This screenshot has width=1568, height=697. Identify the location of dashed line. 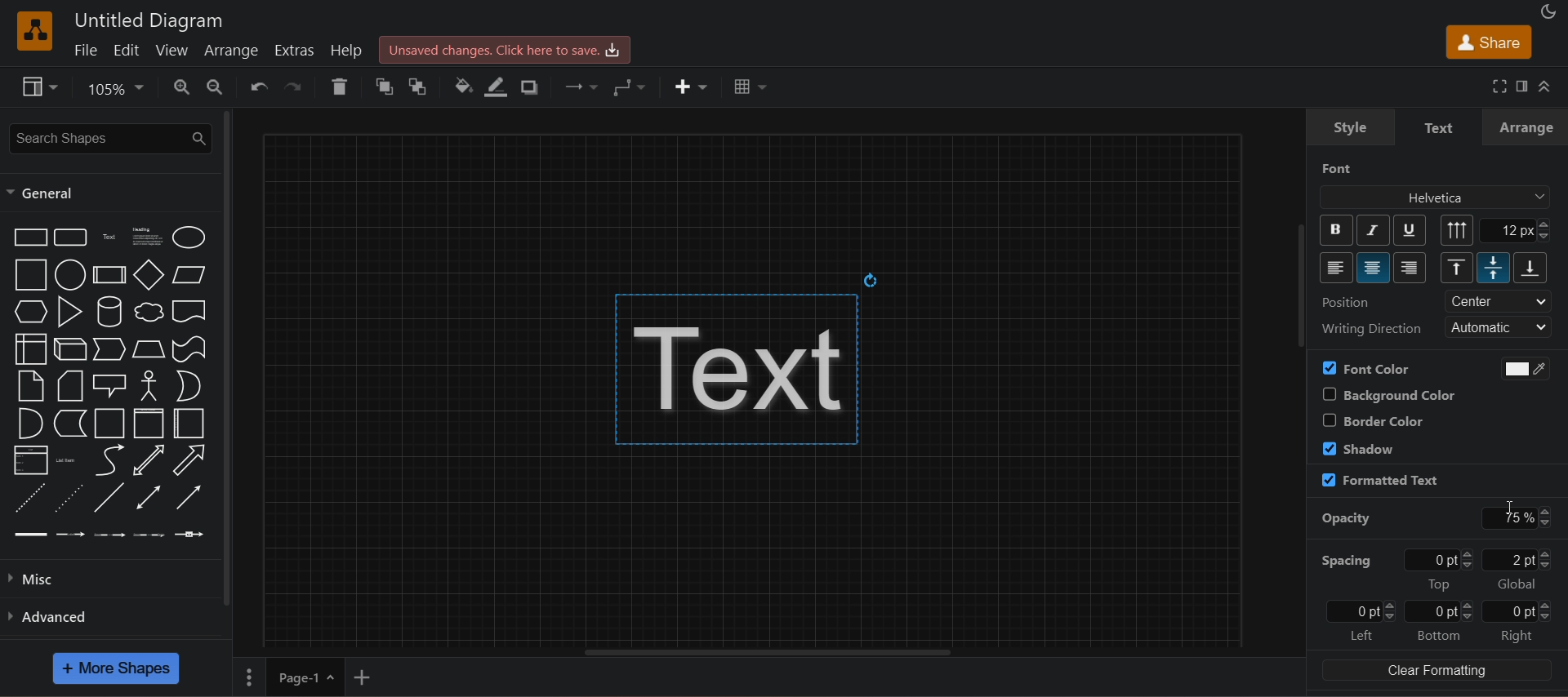
(31, 498).